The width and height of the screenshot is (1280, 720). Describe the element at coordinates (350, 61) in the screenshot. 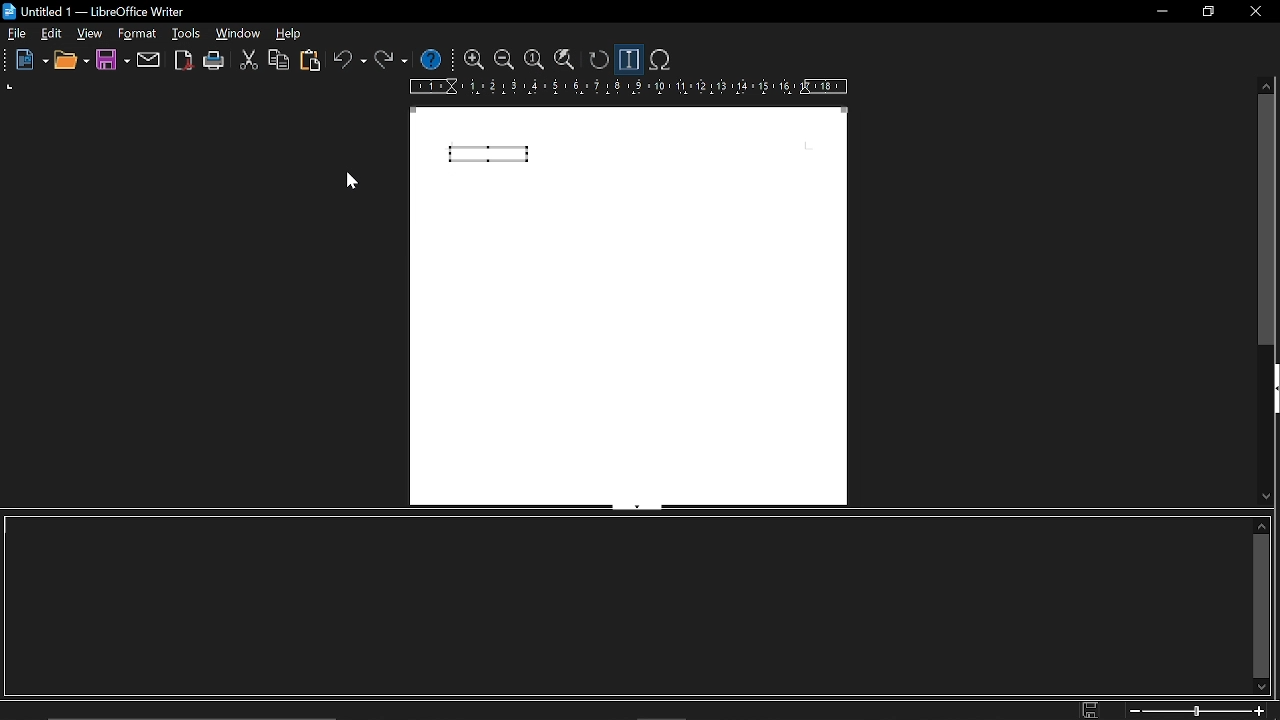

I see `undo` at that location.